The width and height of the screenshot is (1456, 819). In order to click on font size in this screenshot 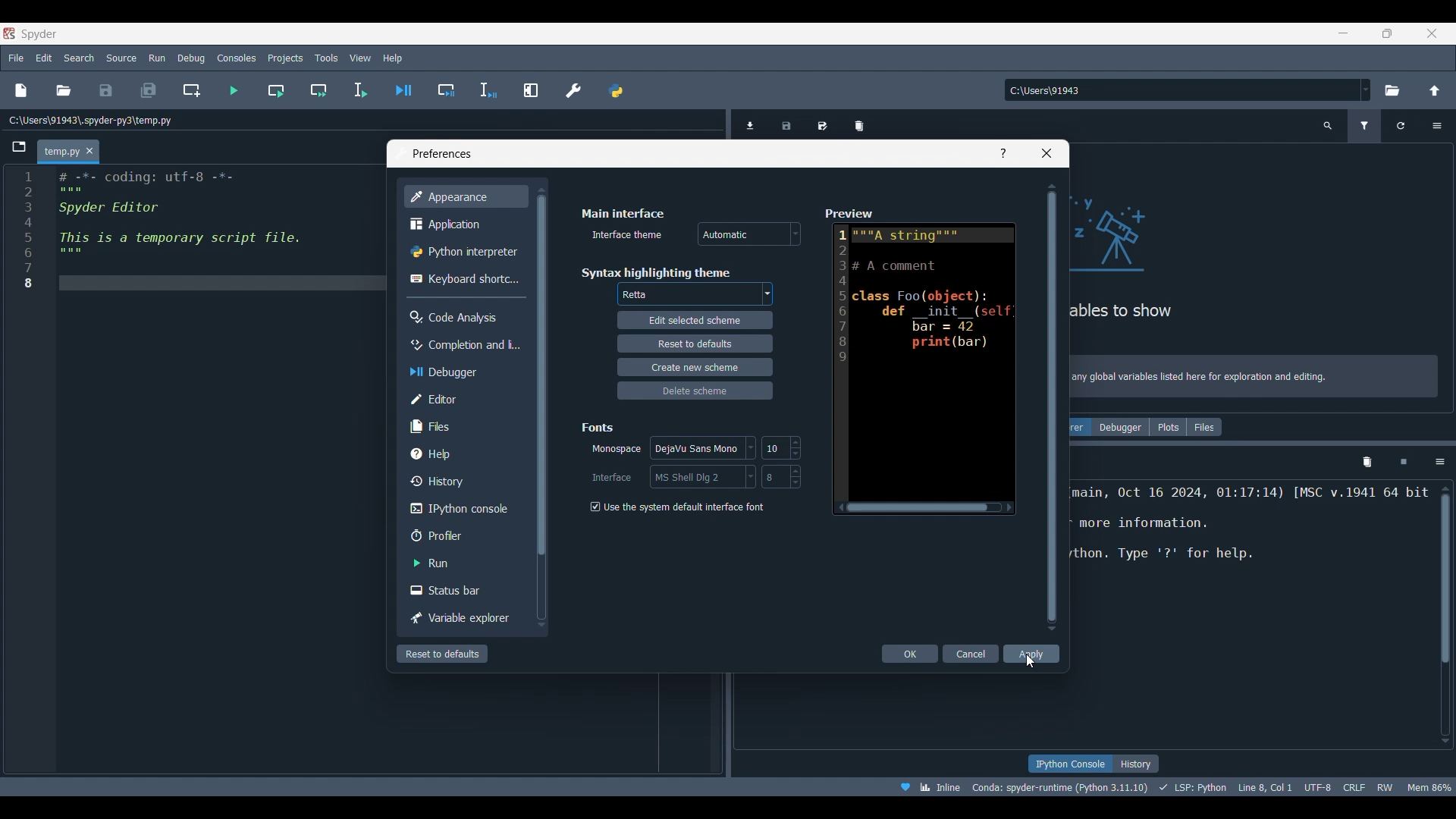, I will do `click(780, 447)`.